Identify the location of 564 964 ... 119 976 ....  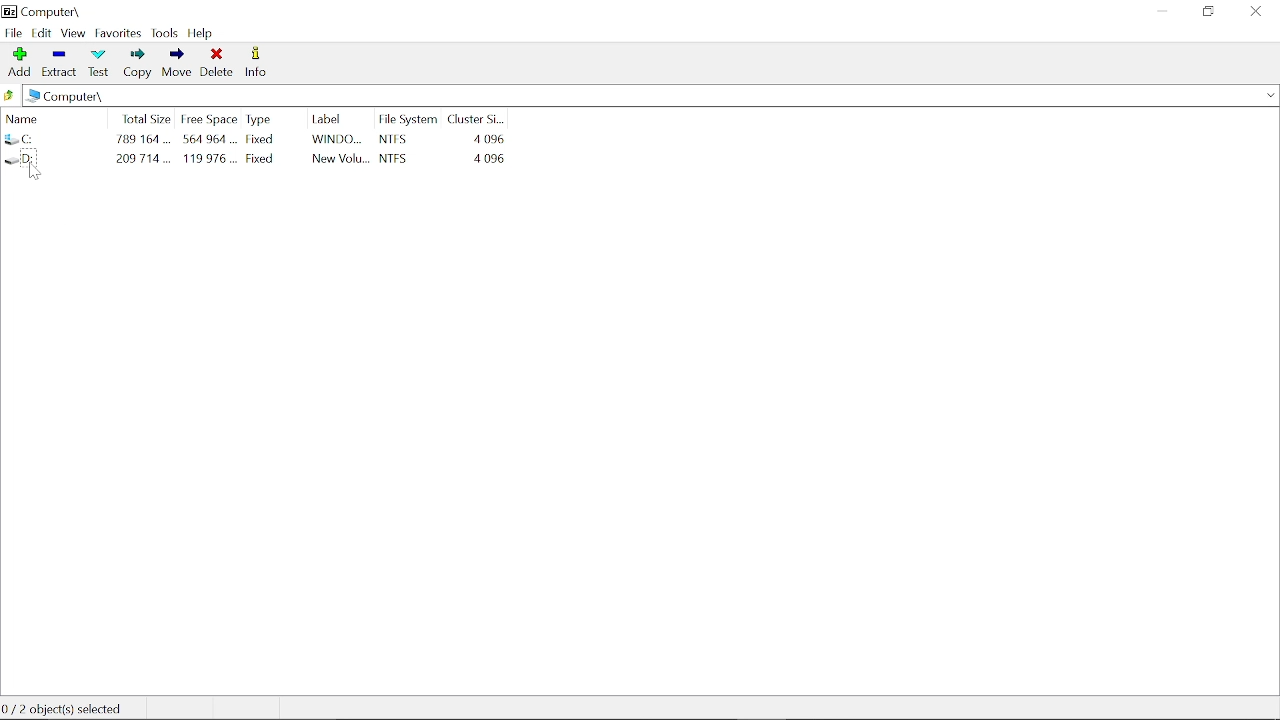
(209, 151).